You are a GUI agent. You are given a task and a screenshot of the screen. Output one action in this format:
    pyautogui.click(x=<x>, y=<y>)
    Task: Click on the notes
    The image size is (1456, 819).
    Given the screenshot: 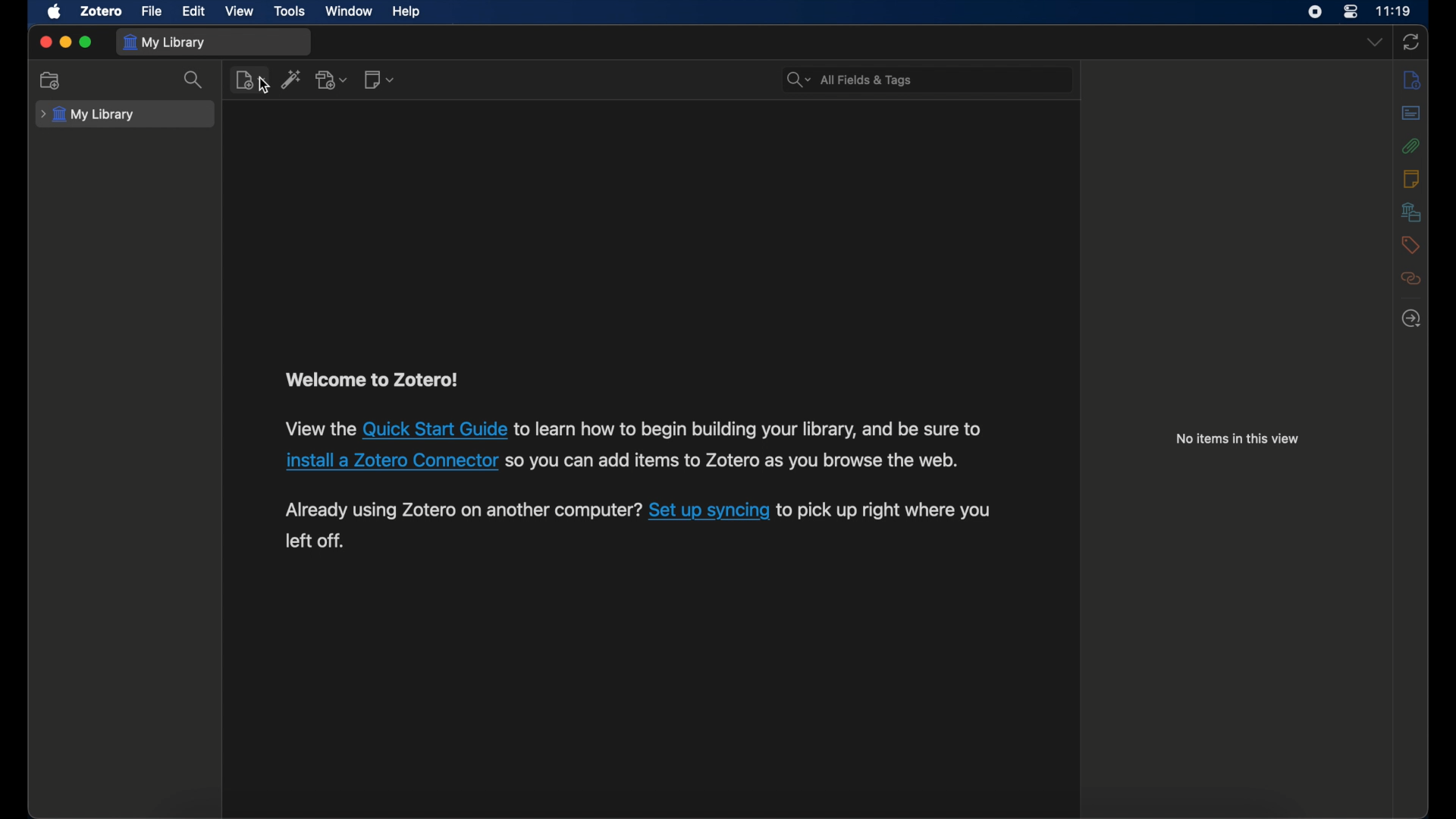 What is the action you would take?
    pyautogui.click(x=1410, y=179)
    